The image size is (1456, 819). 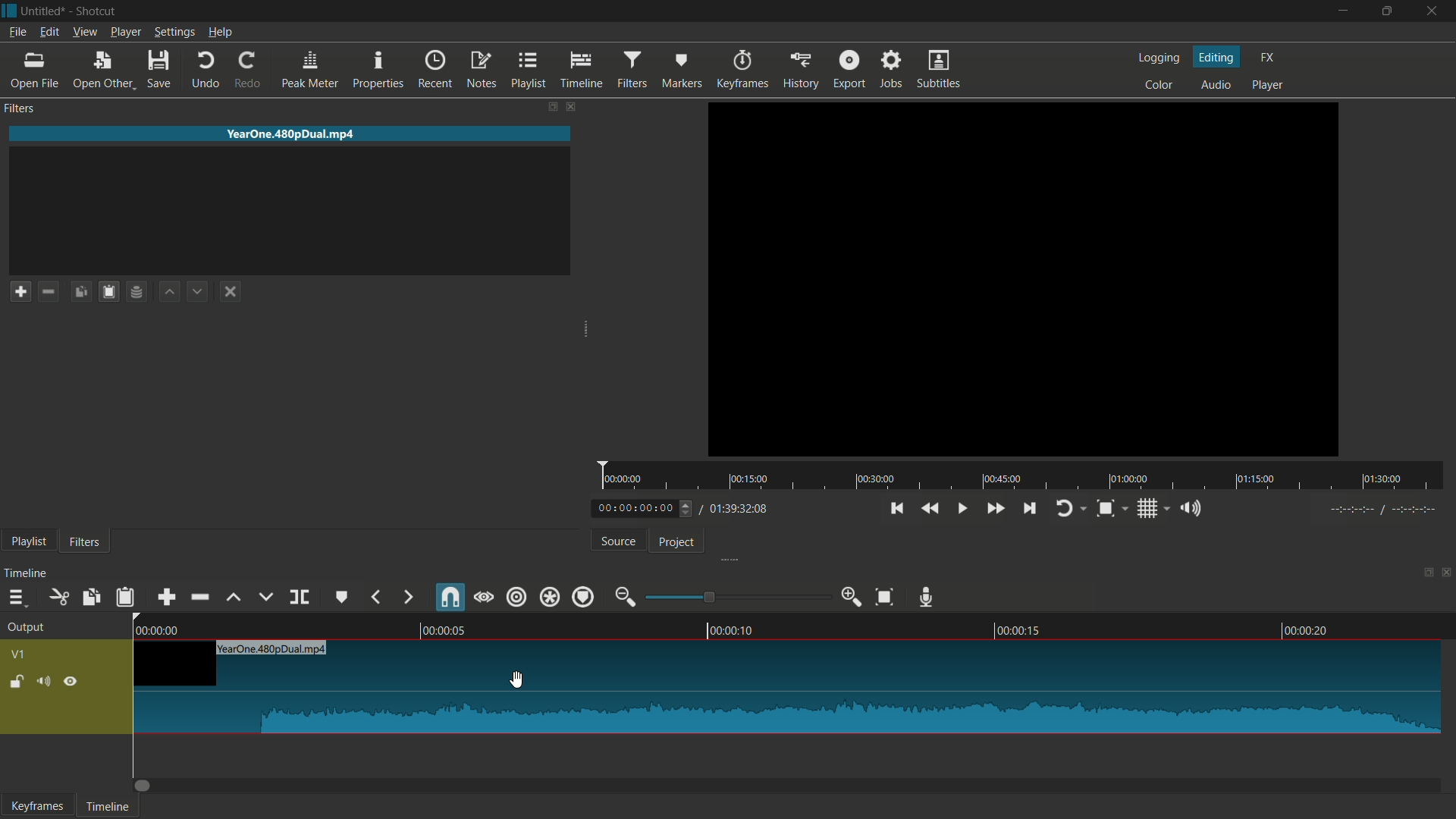 I want to click on move filter down, so click(x=199, y=290).